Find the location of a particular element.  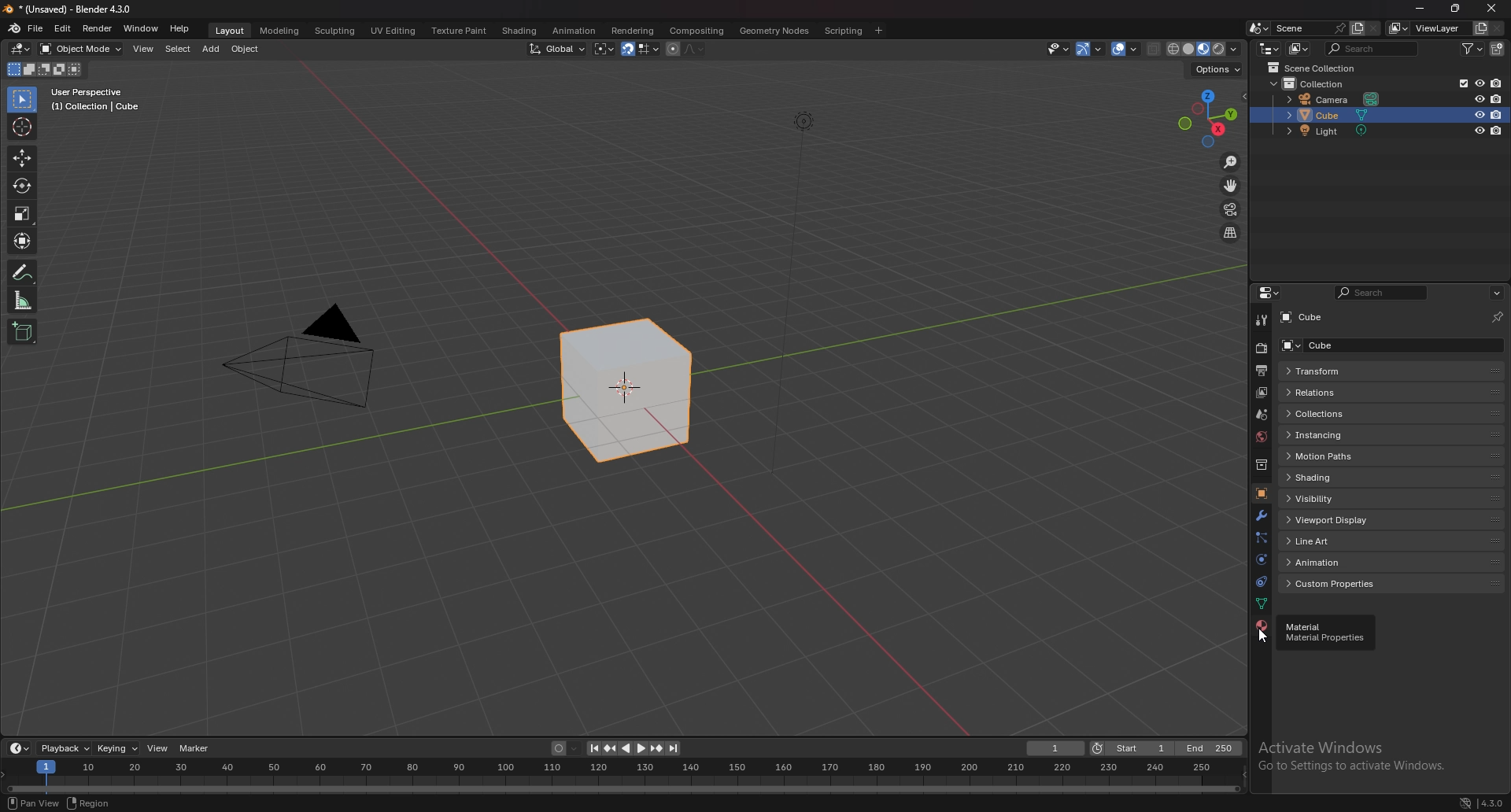

editor type is located at coordinates (20, 49).